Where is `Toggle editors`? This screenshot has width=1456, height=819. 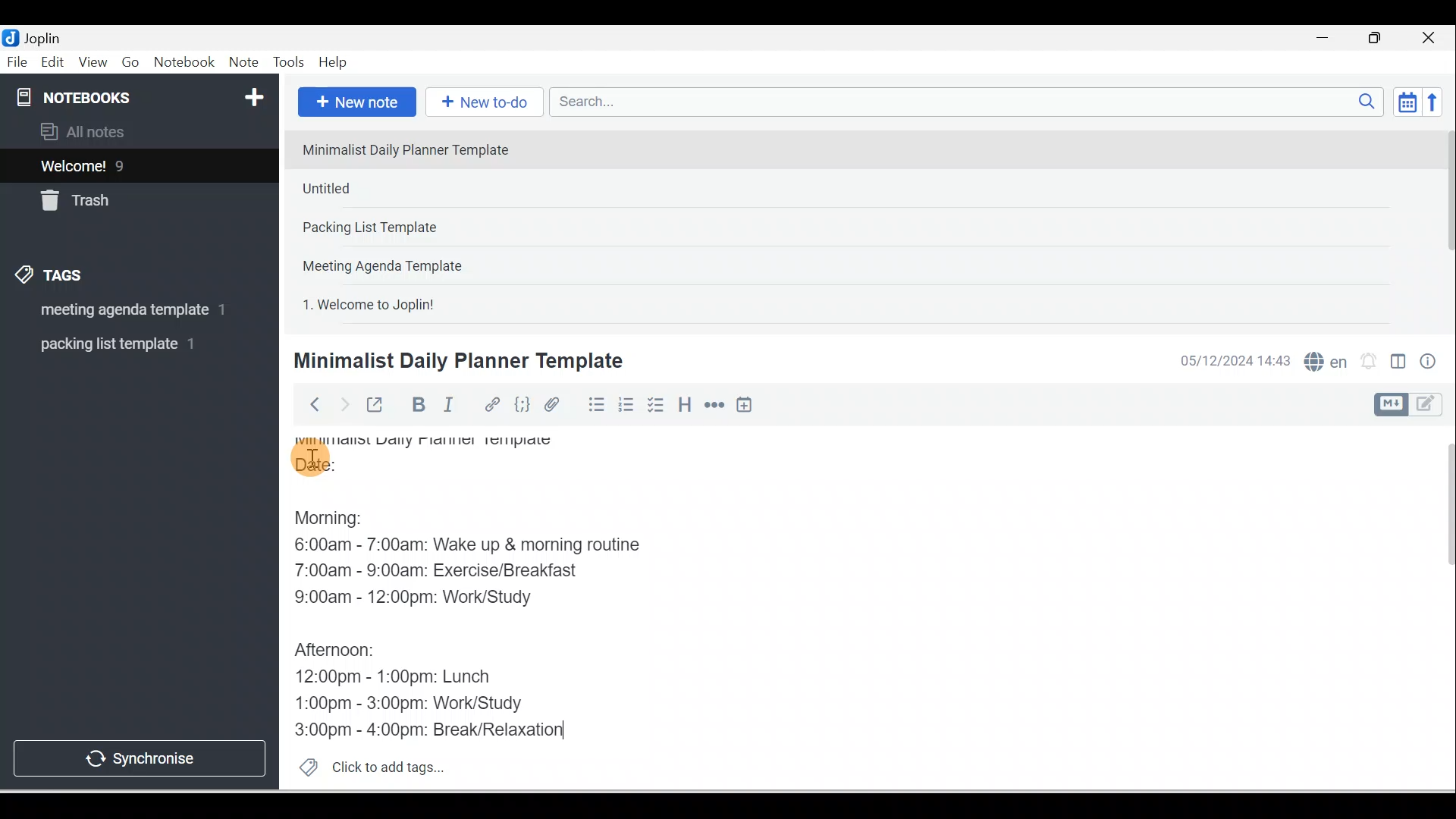
Toggle editors is located at coordinates (1398, 364).